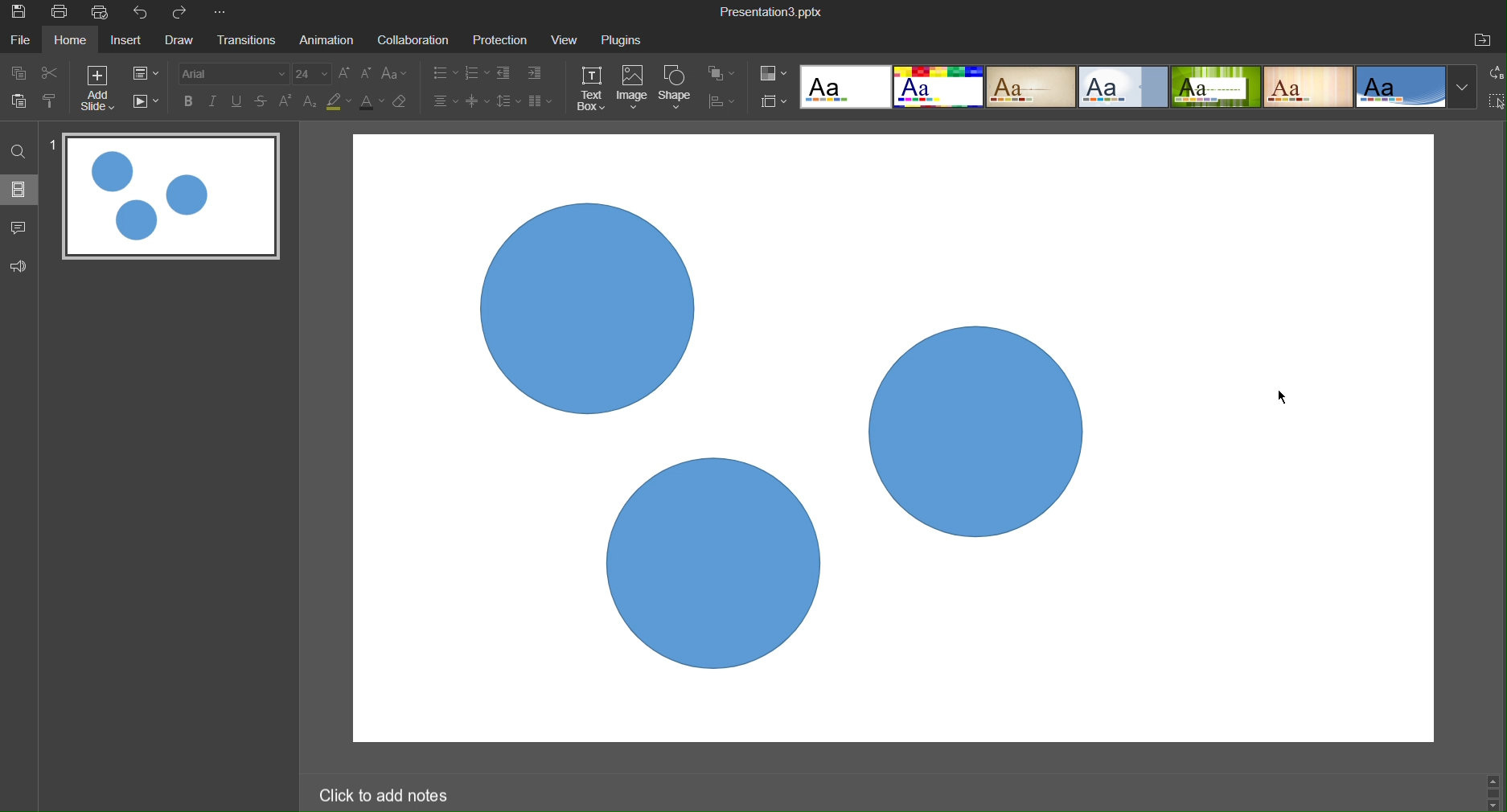  What do you see at coordinates (17, 154) in the screenshot?
I see `Find` at bounding box center [17, 154].